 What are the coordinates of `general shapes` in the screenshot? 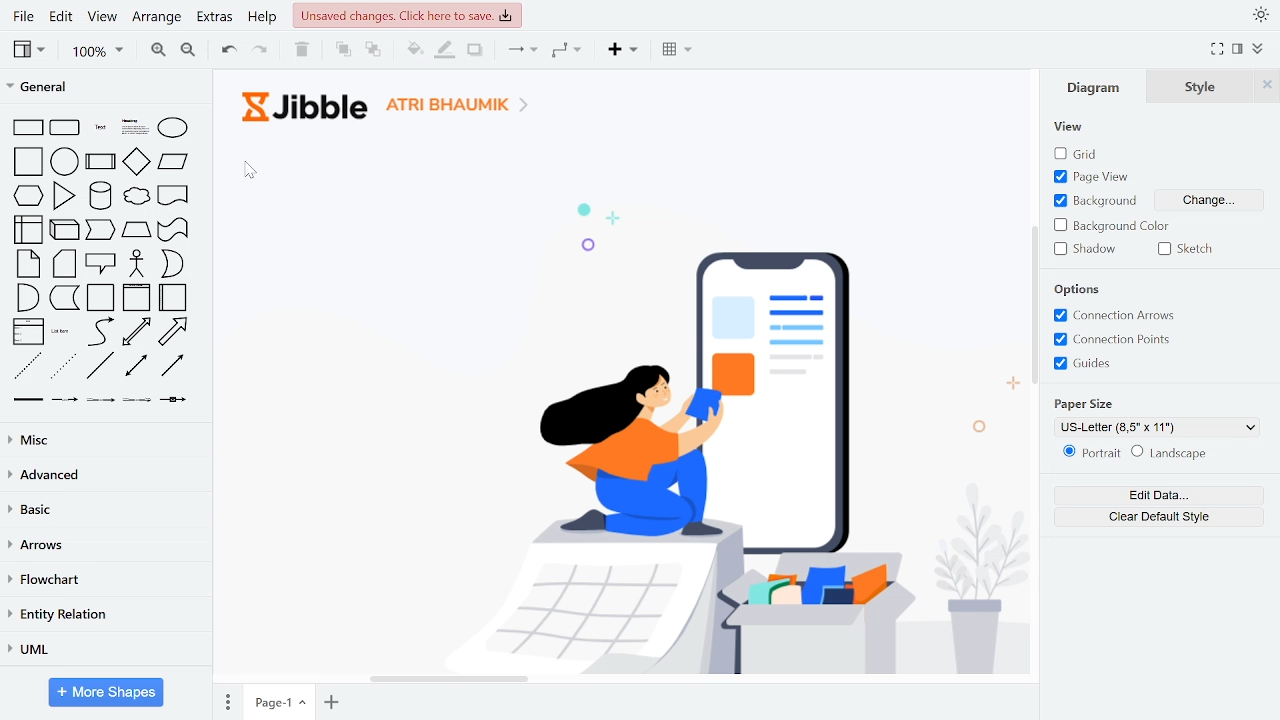 It's located at (62, 332).